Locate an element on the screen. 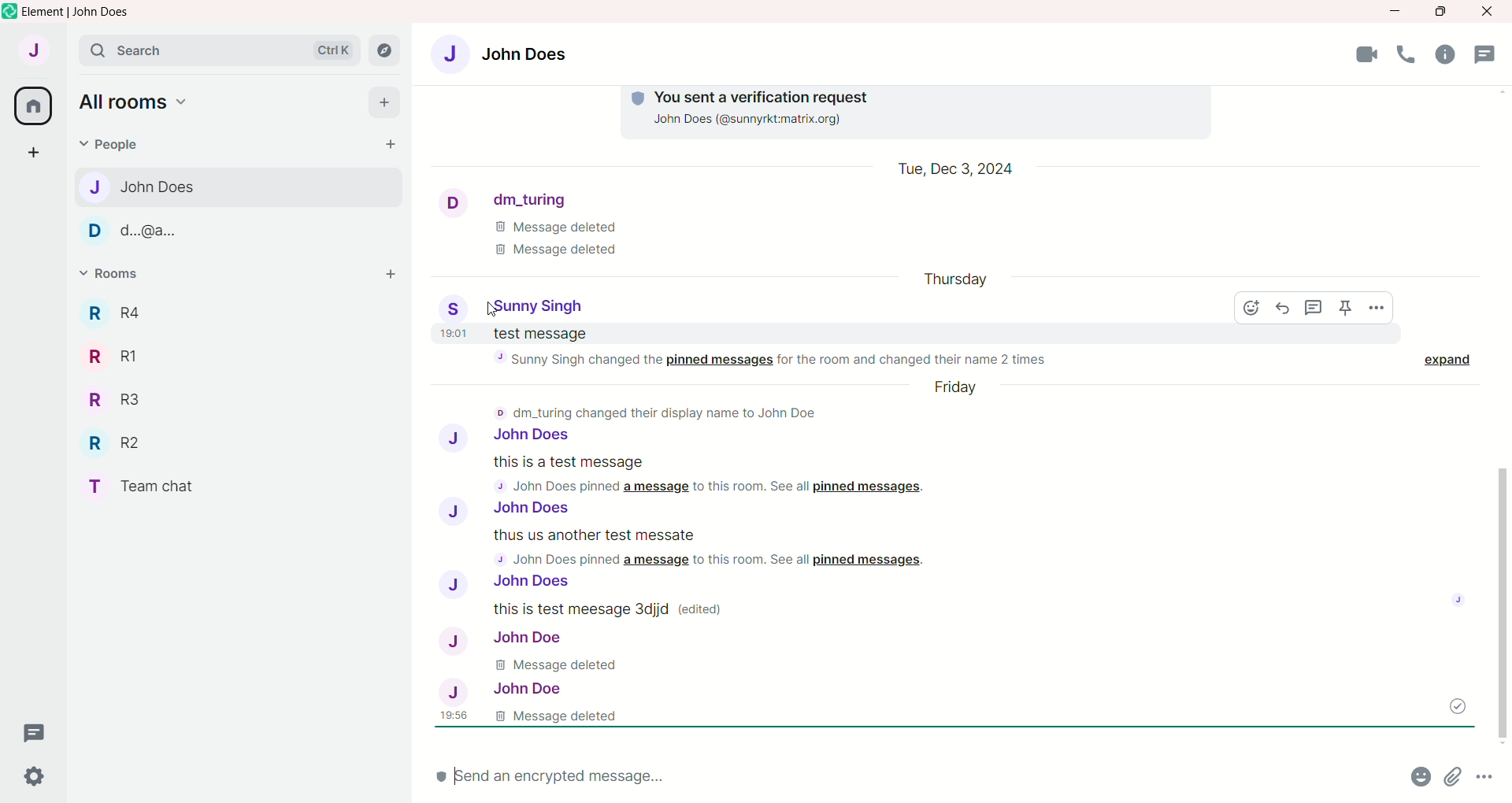  more options is located at coordinates (1489, 776).